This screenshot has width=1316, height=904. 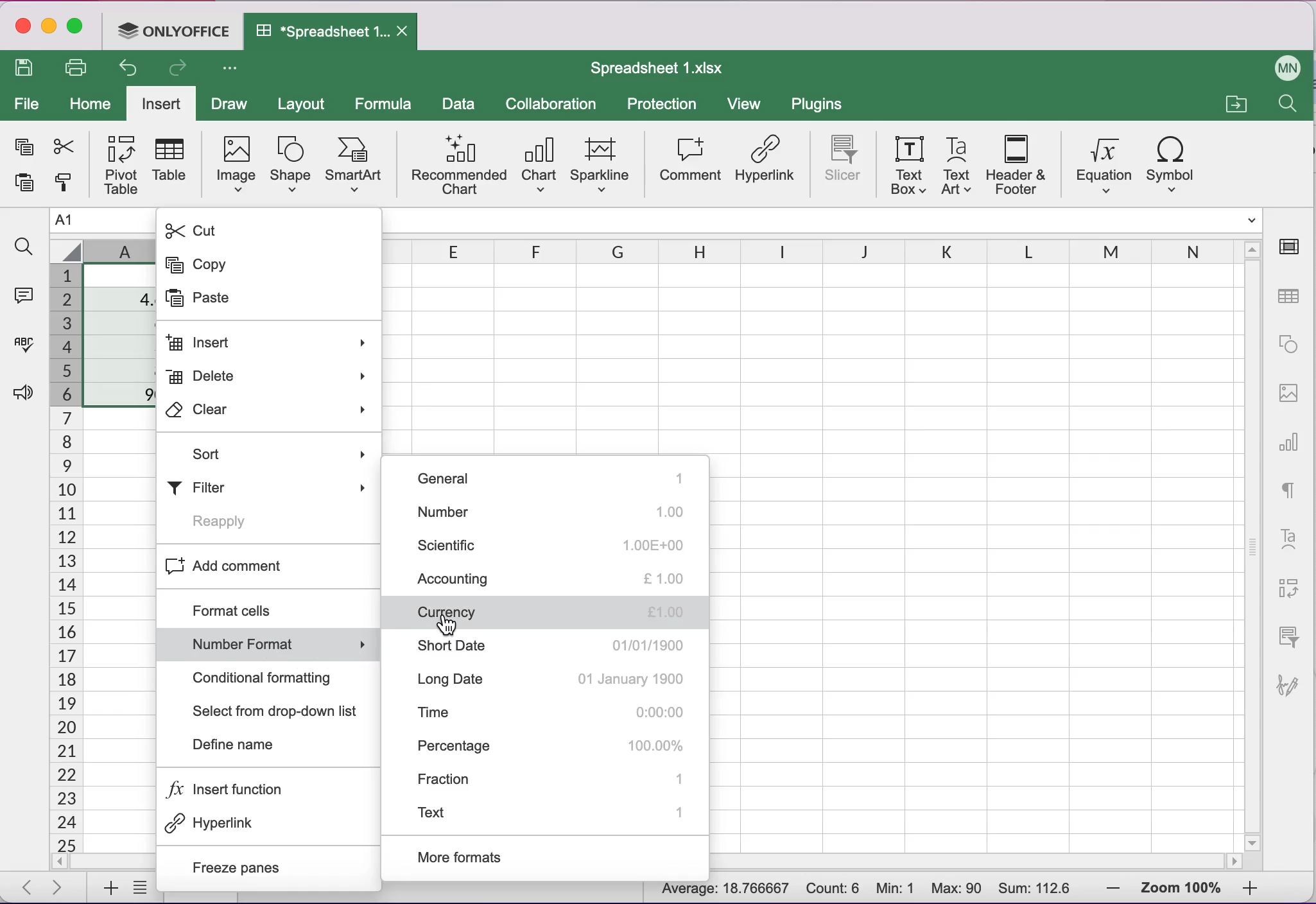 I want to click on cut, so click(x=62, y=146).